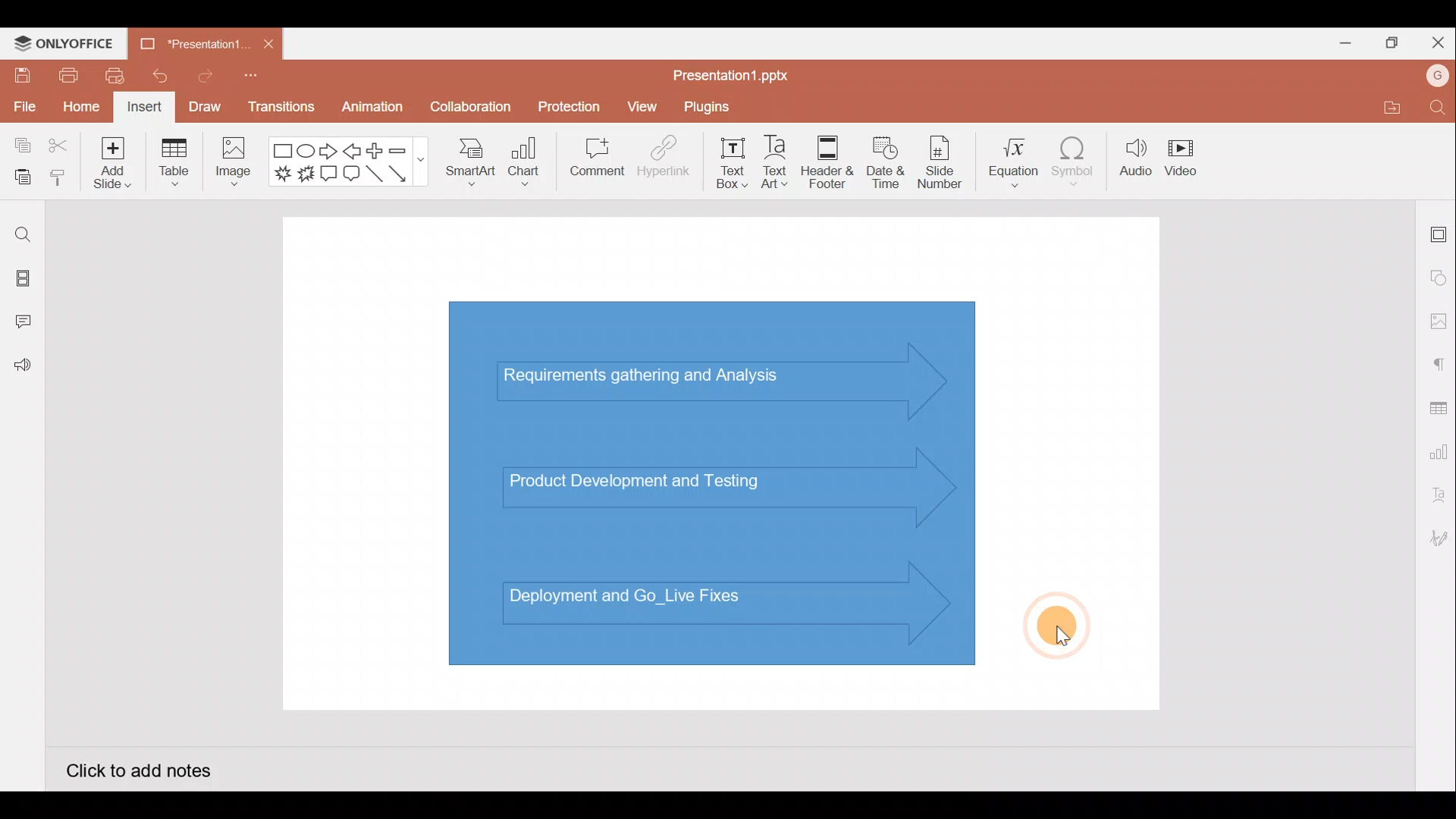  What do you see at coordinates (140, 769) in the screenshot?
I see `Click to add notes` at bounding box center [140, 769].